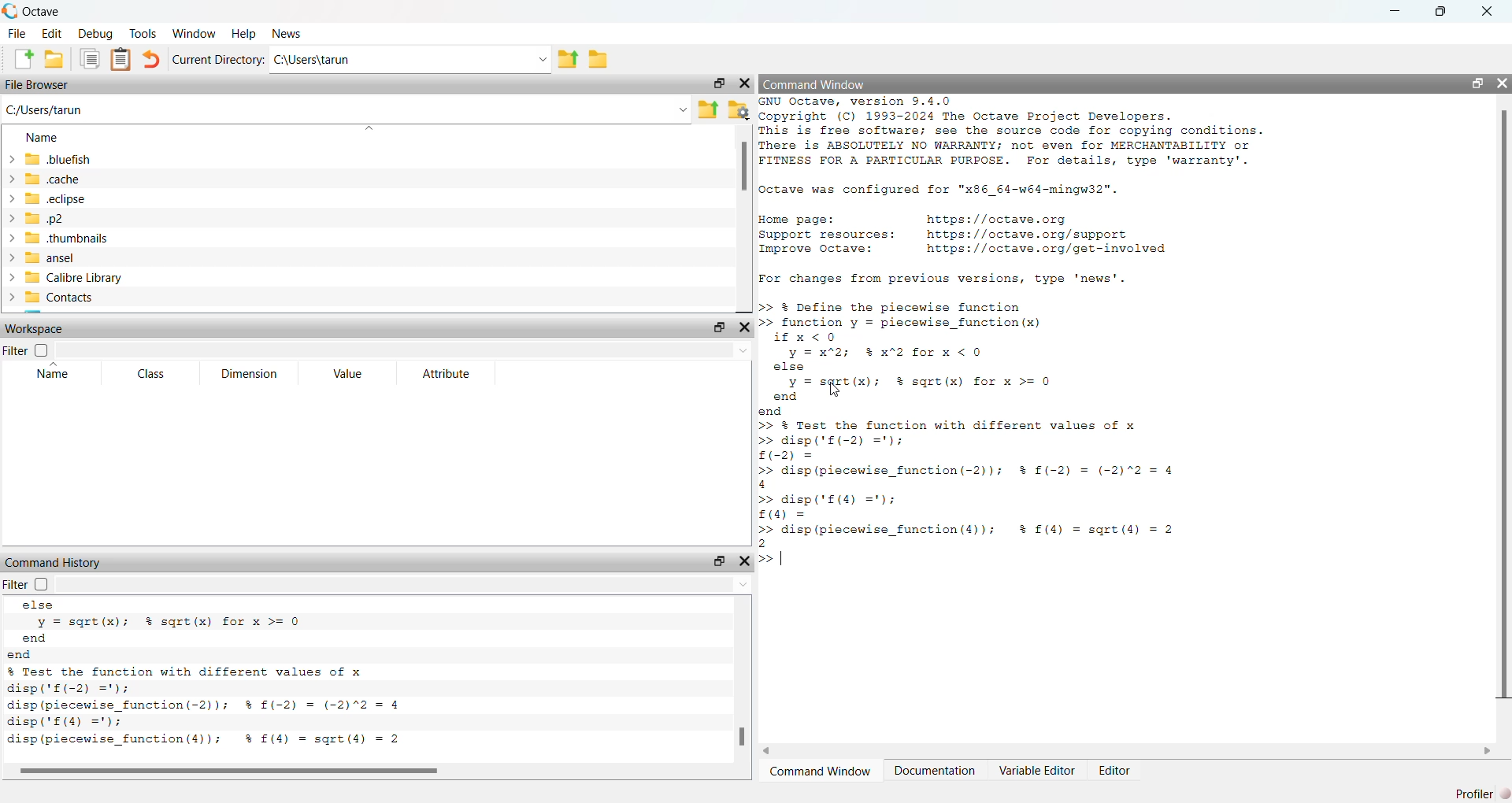 Image resolution: width=1512 pixels, height=803 pixels. Describe the element at coordinates (746, 81) in the screenshot. I see `Close` at that location.